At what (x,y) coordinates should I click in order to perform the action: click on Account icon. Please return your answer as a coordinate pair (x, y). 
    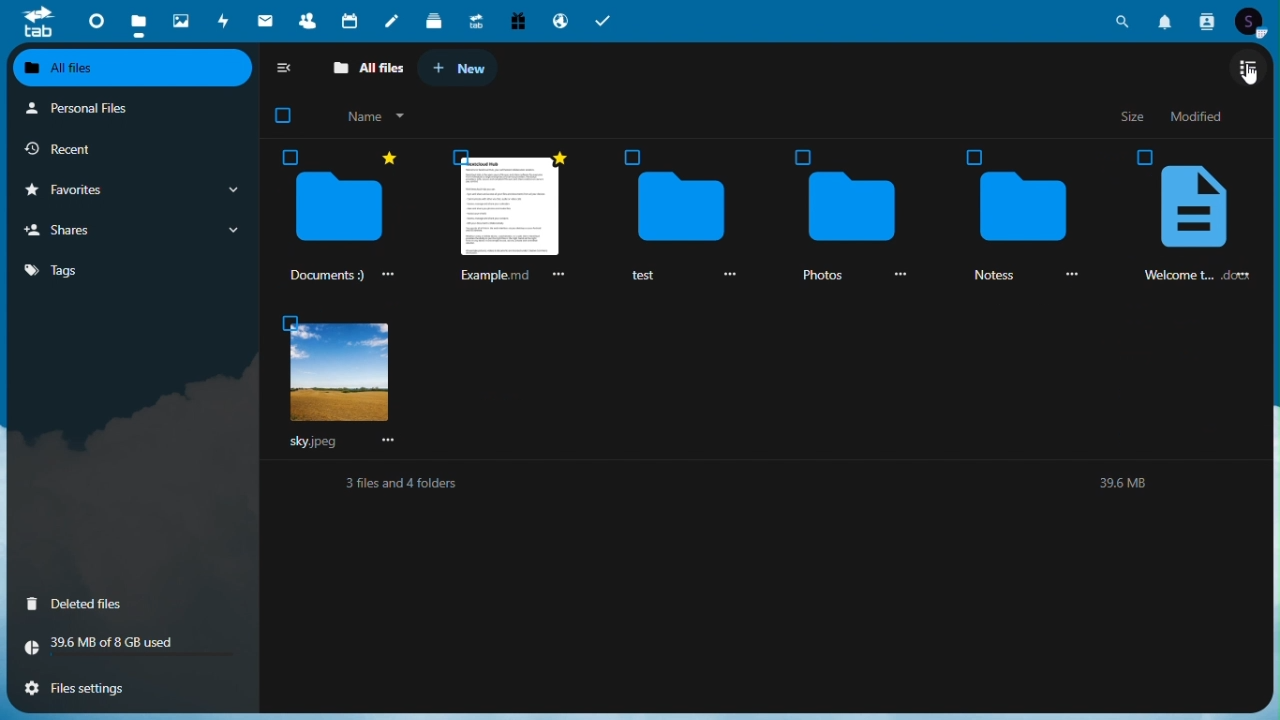
    Looking at the image, I should click on (1251, 22).